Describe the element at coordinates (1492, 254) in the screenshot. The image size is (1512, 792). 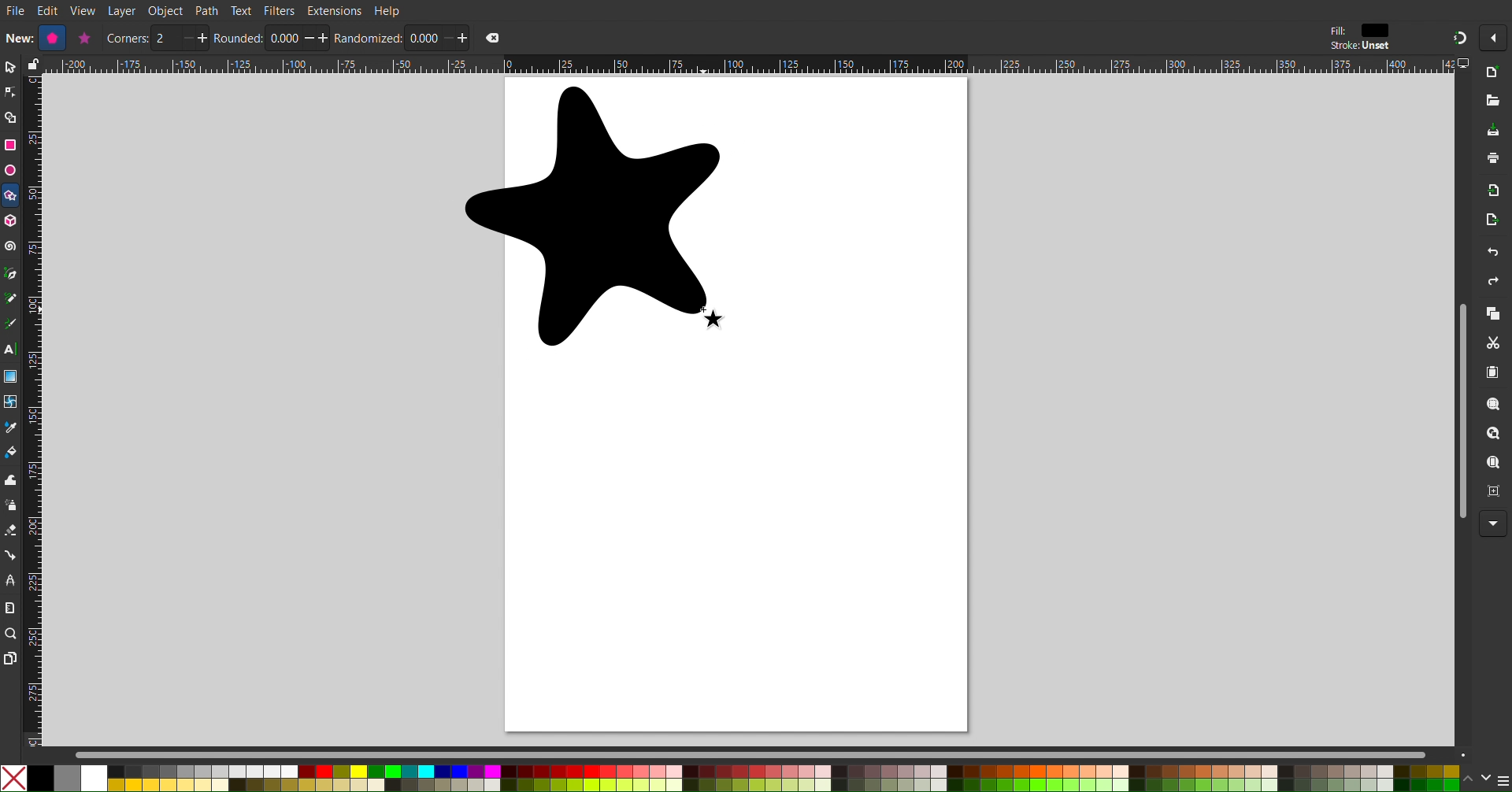
I see `Undo` at that location.